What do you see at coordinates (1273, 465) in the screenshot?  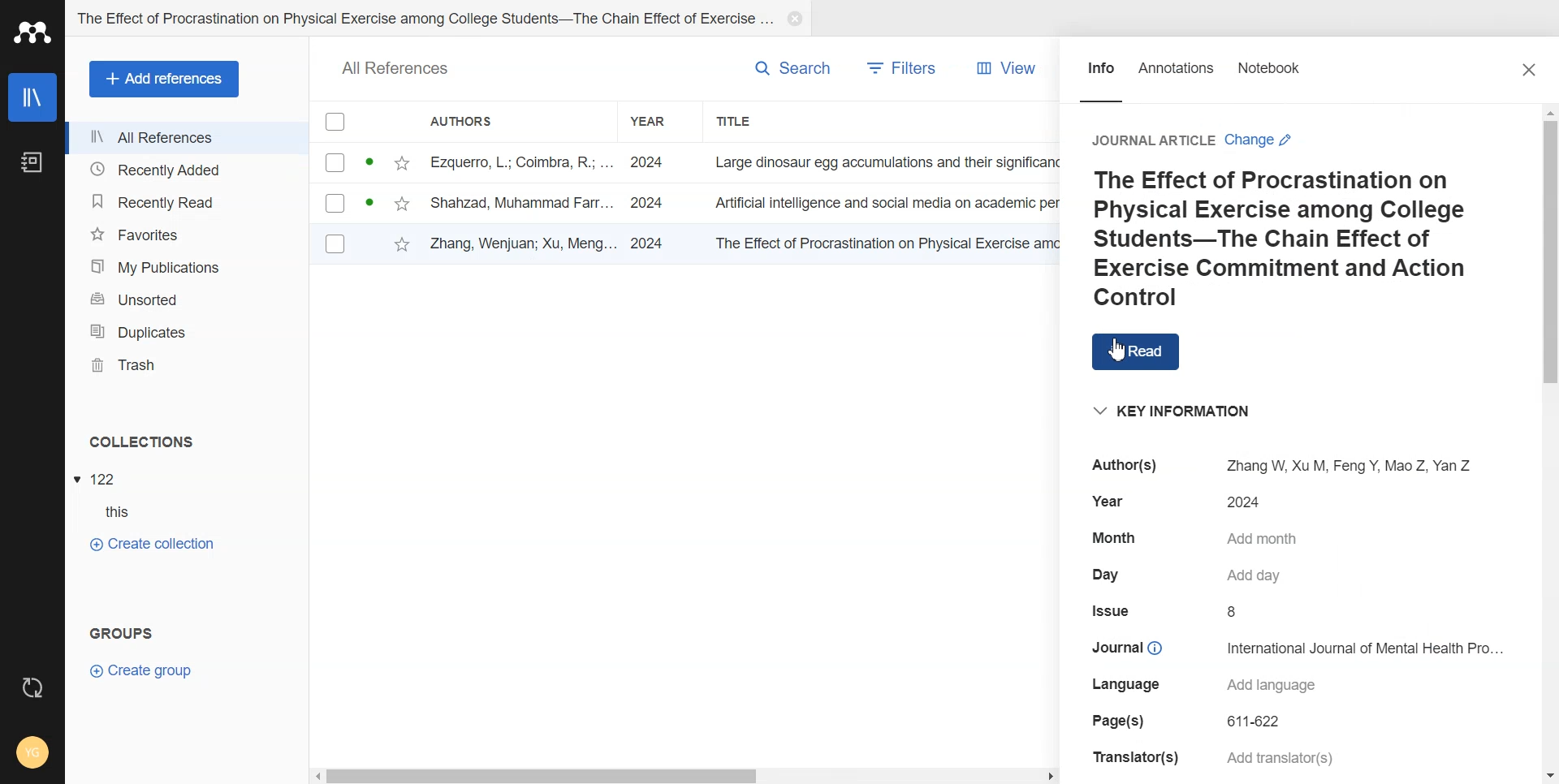 I see `Author(s) Zhang W, Xu M, Feng Y, Mao Z, Yan Z` at bounding box center [1273, 465].